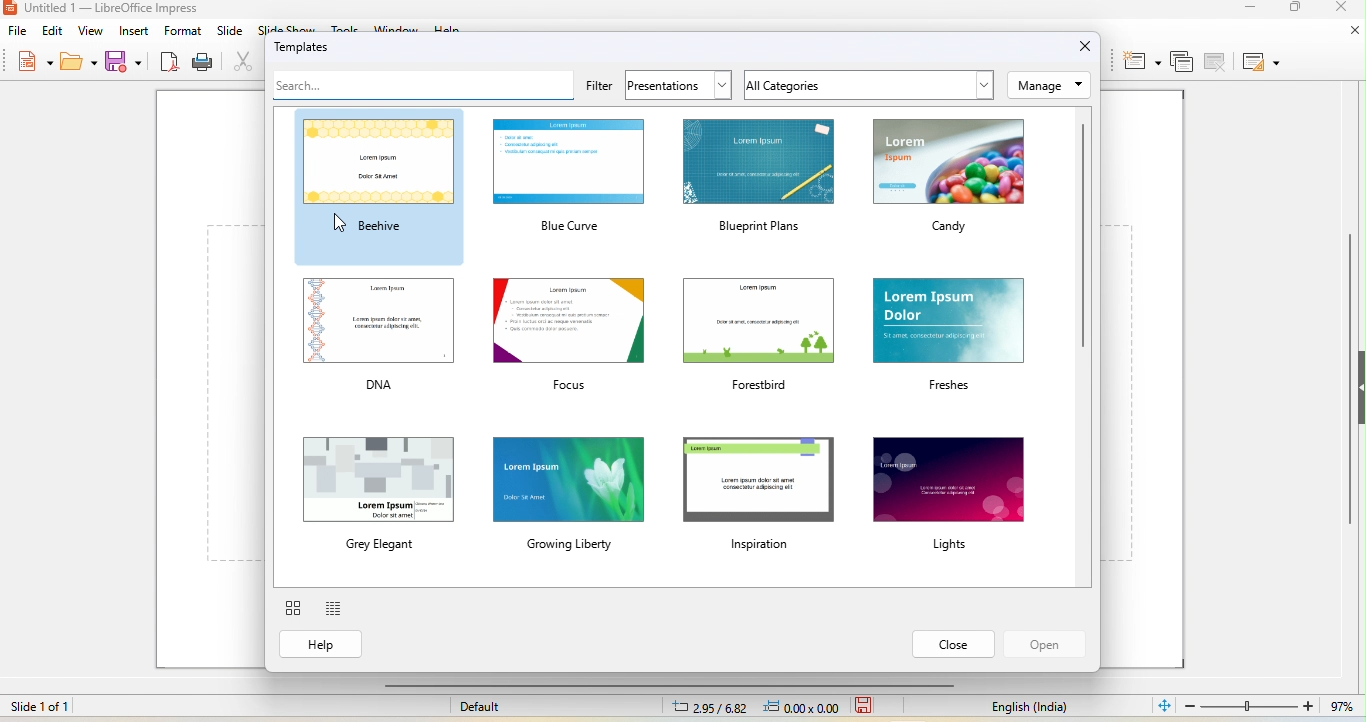 Image resolution: width=1366 pixels, height=722 pixels. Describe the element at coordinates (1298, 10) in the screenshot. I see `maximize` at that location.